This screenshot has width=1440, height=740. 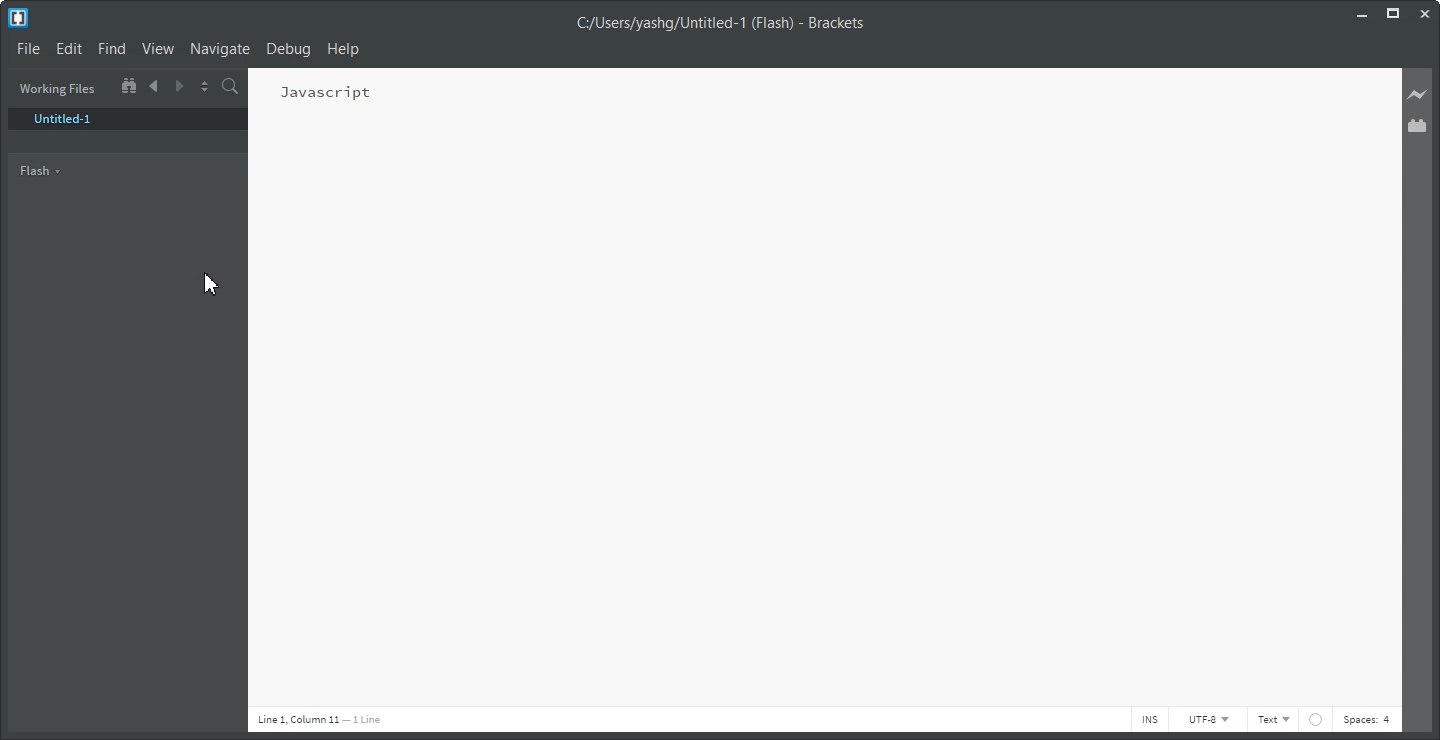 I want to click on Edit, so click(x=70, y=49).